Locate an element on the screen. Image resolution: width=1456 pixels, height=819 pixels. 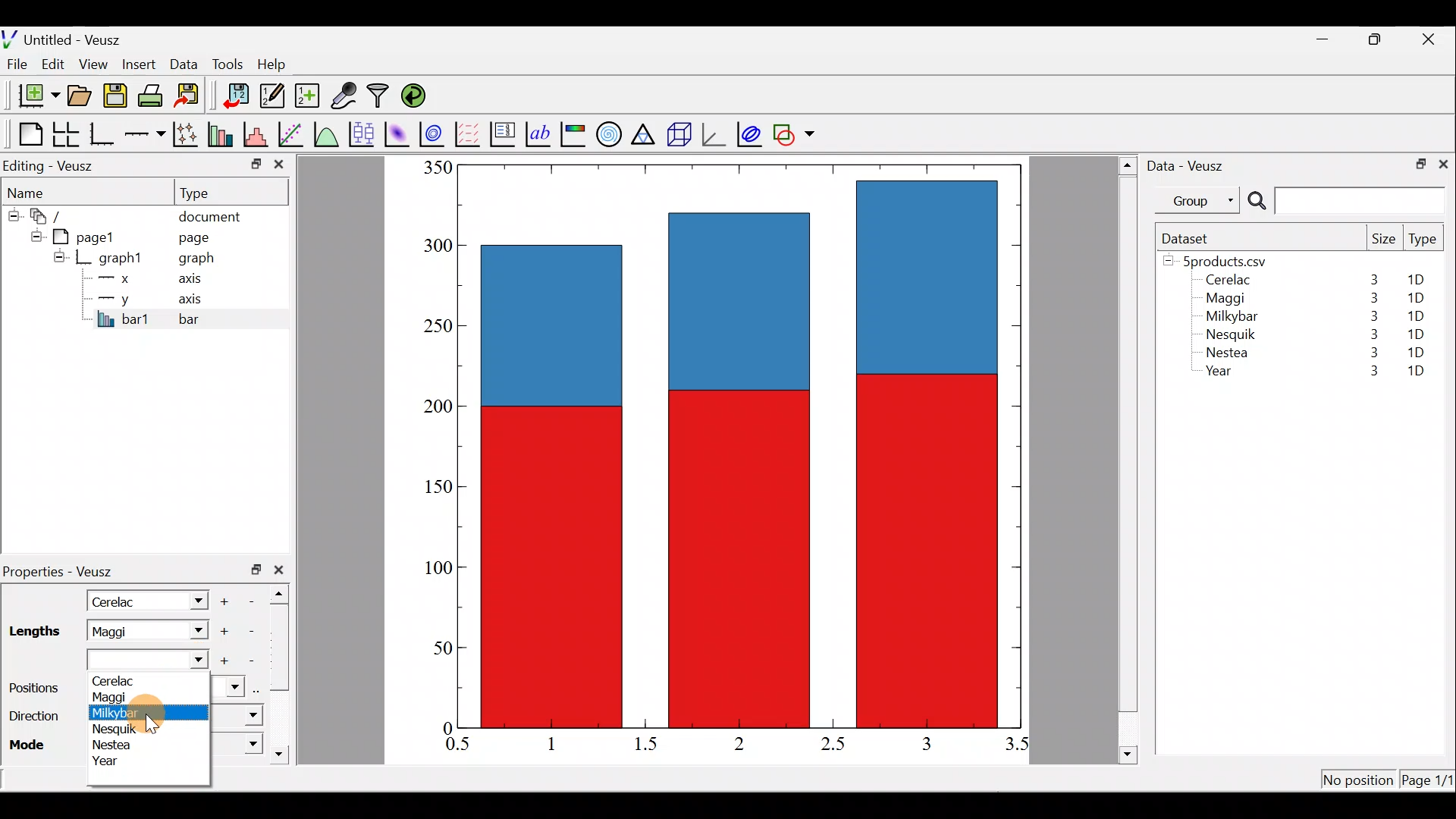
Edit and enter new datasets is located at coordinates (272, 96).